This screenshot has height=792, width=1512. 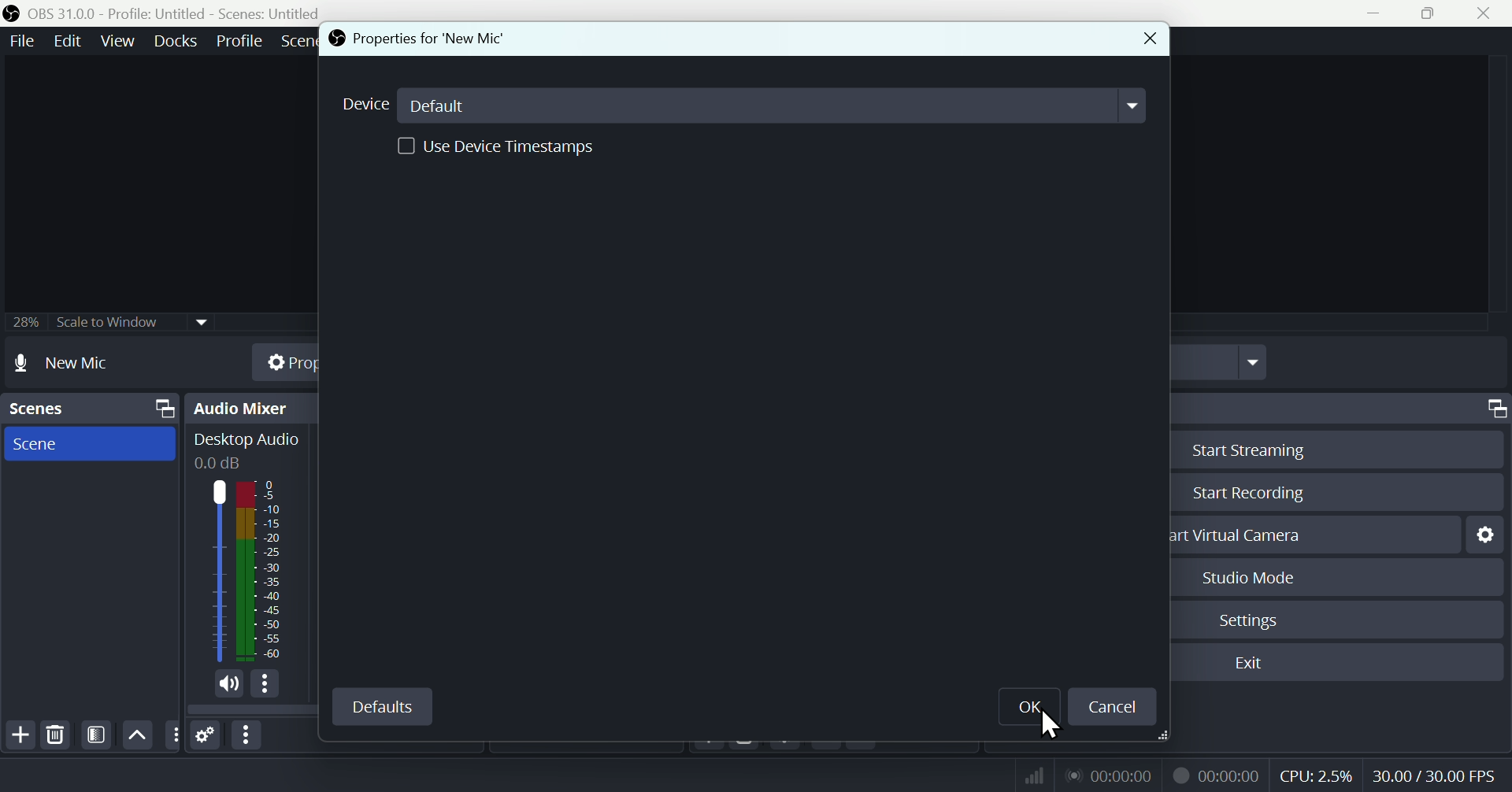 I want to click on More options, so click(x=266, y=687).